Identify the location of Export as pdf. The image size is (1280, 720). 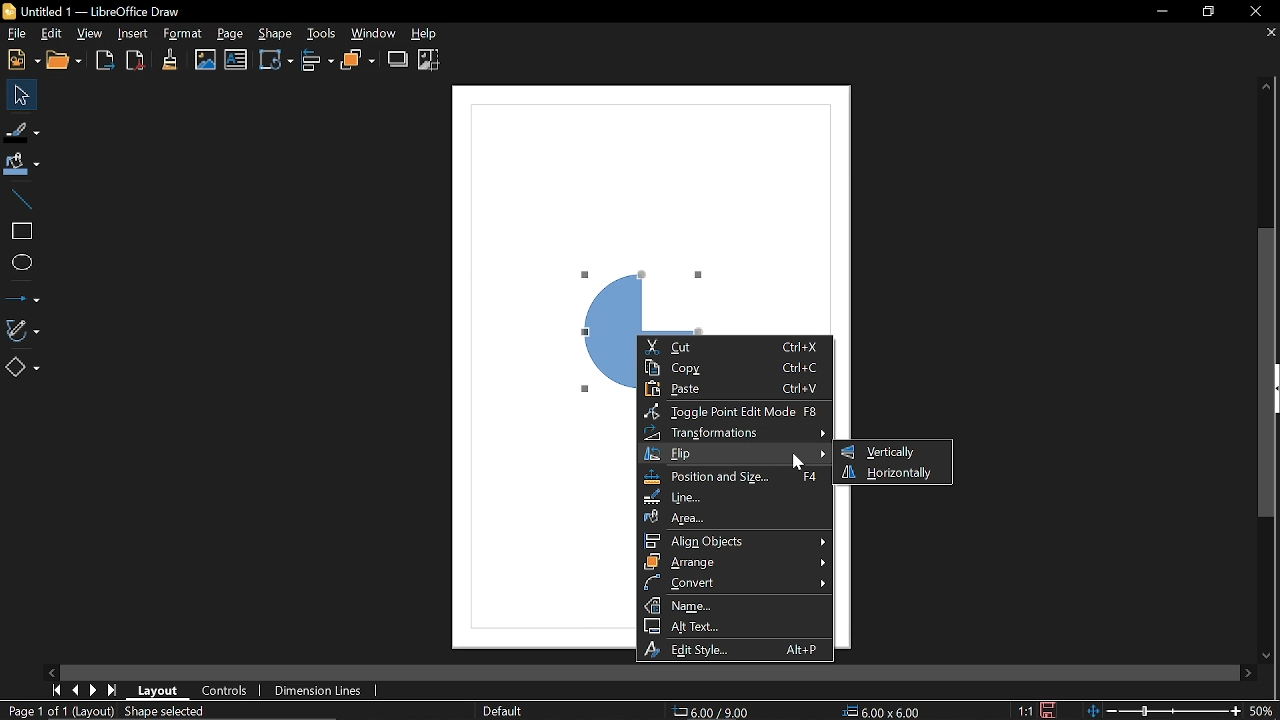
(134, 60).